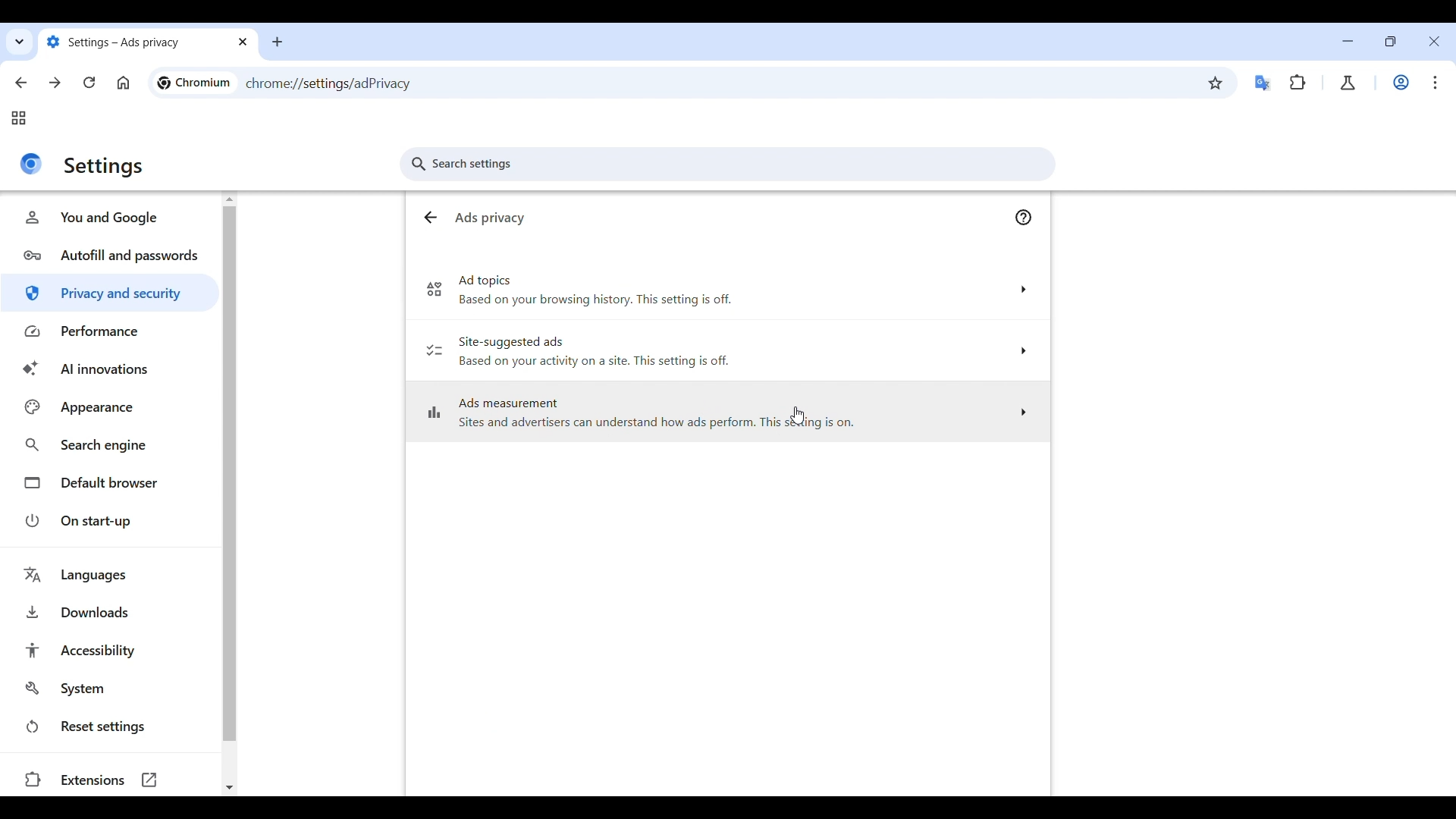 The width and height of the screenshot is (1456, 819). I want to click on Appearance, so click(108, 407).